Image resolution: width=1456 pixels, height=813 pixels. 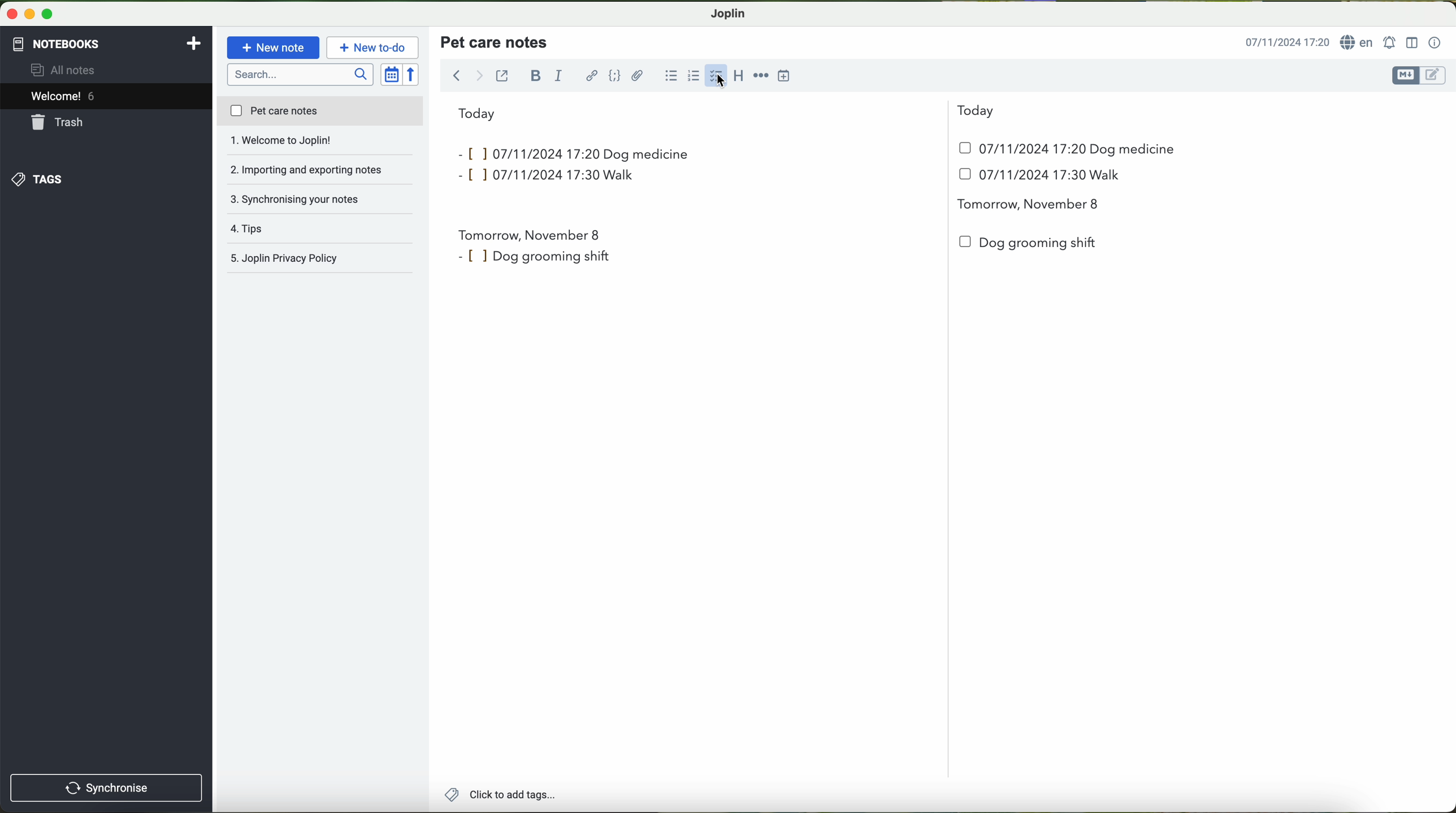 What do you see at coordinates (274, 47) in the screenshot?
I see `new note button` at bounding box center [274, 47].